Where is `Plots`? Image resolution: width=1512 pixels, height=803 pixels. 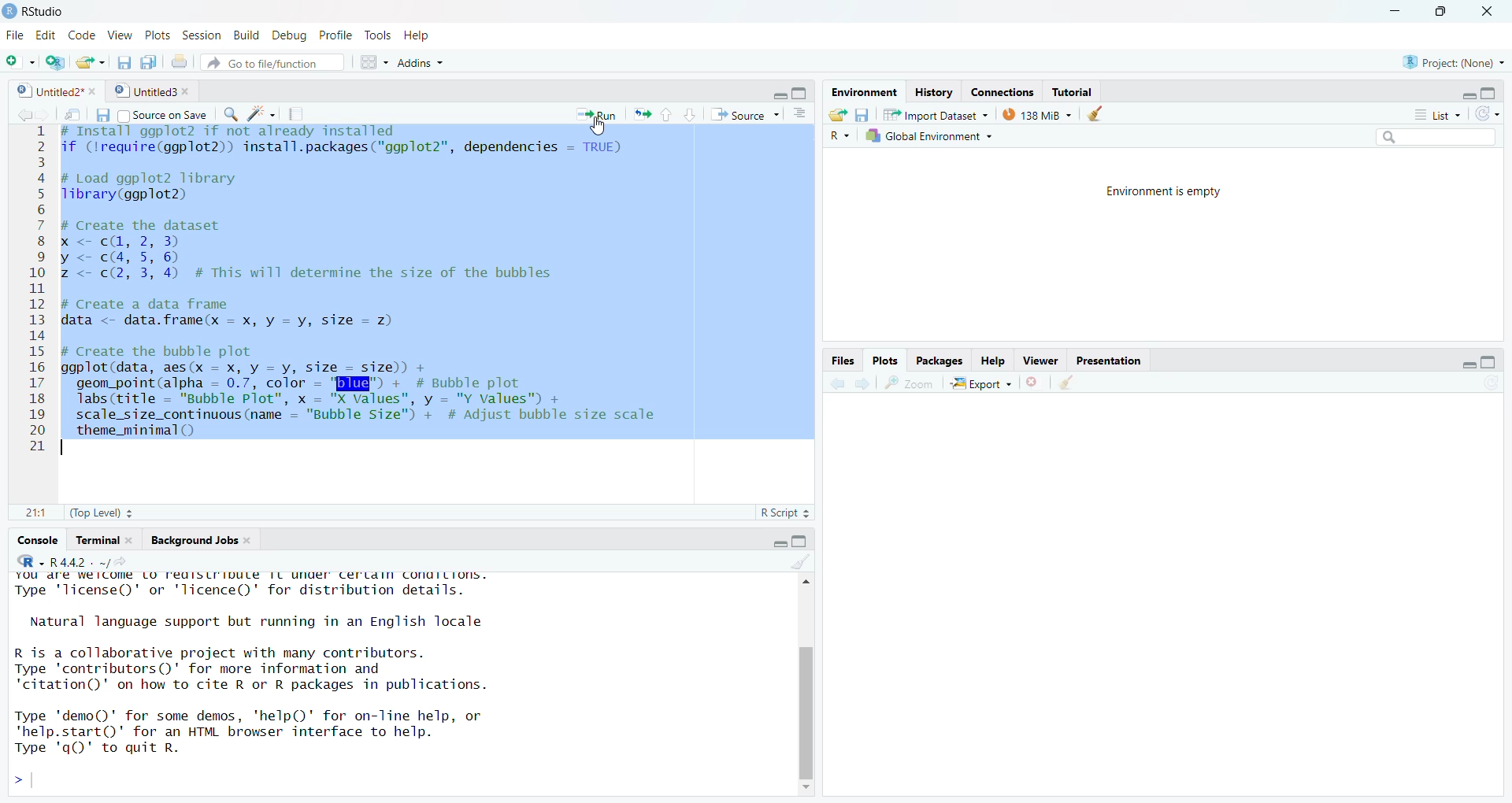 Plots is located at coordinates (158, 35).